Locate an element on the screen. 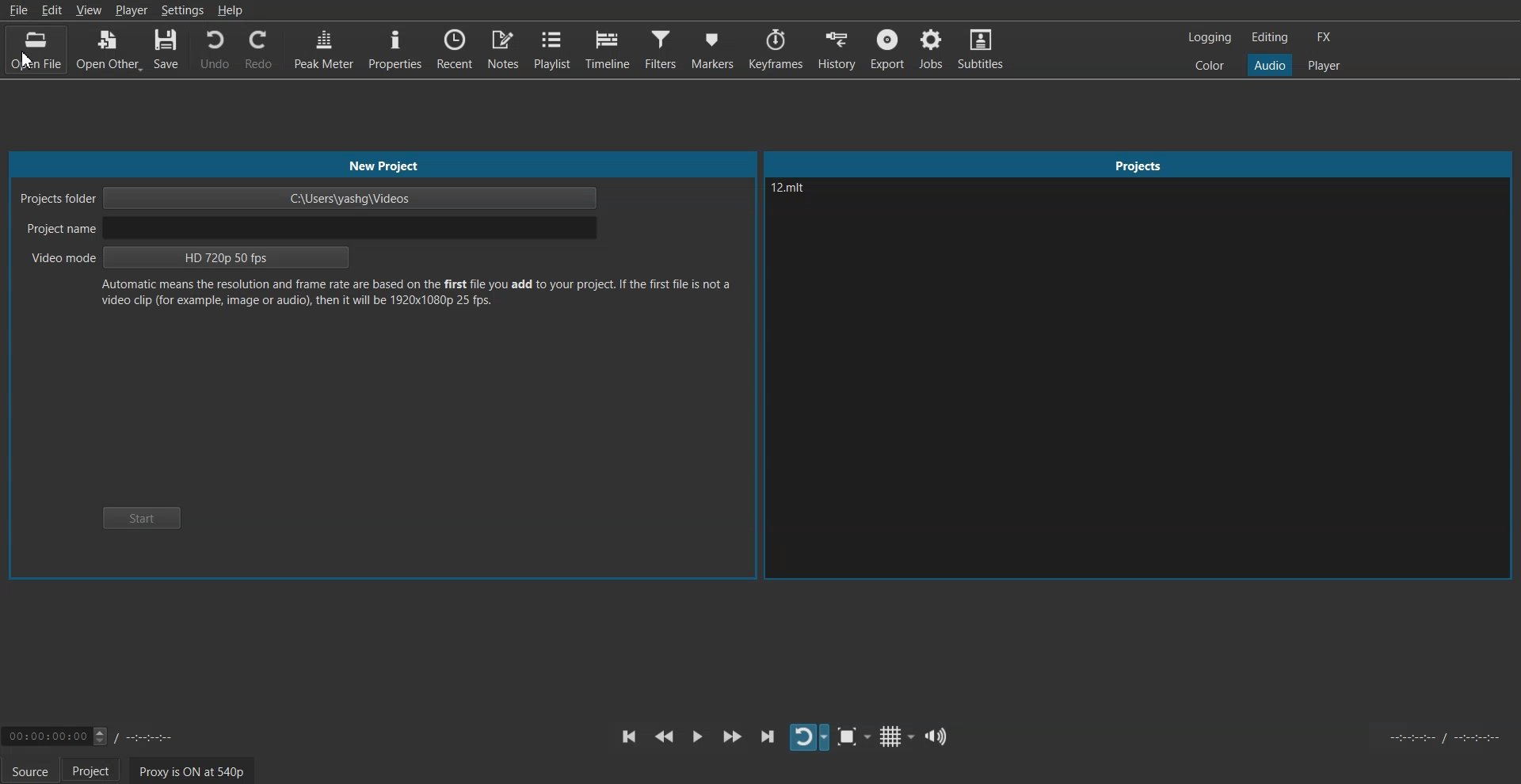 This screenshot has height=784, width=1521. Play quickly backwards is located at coordinates (664, 736).